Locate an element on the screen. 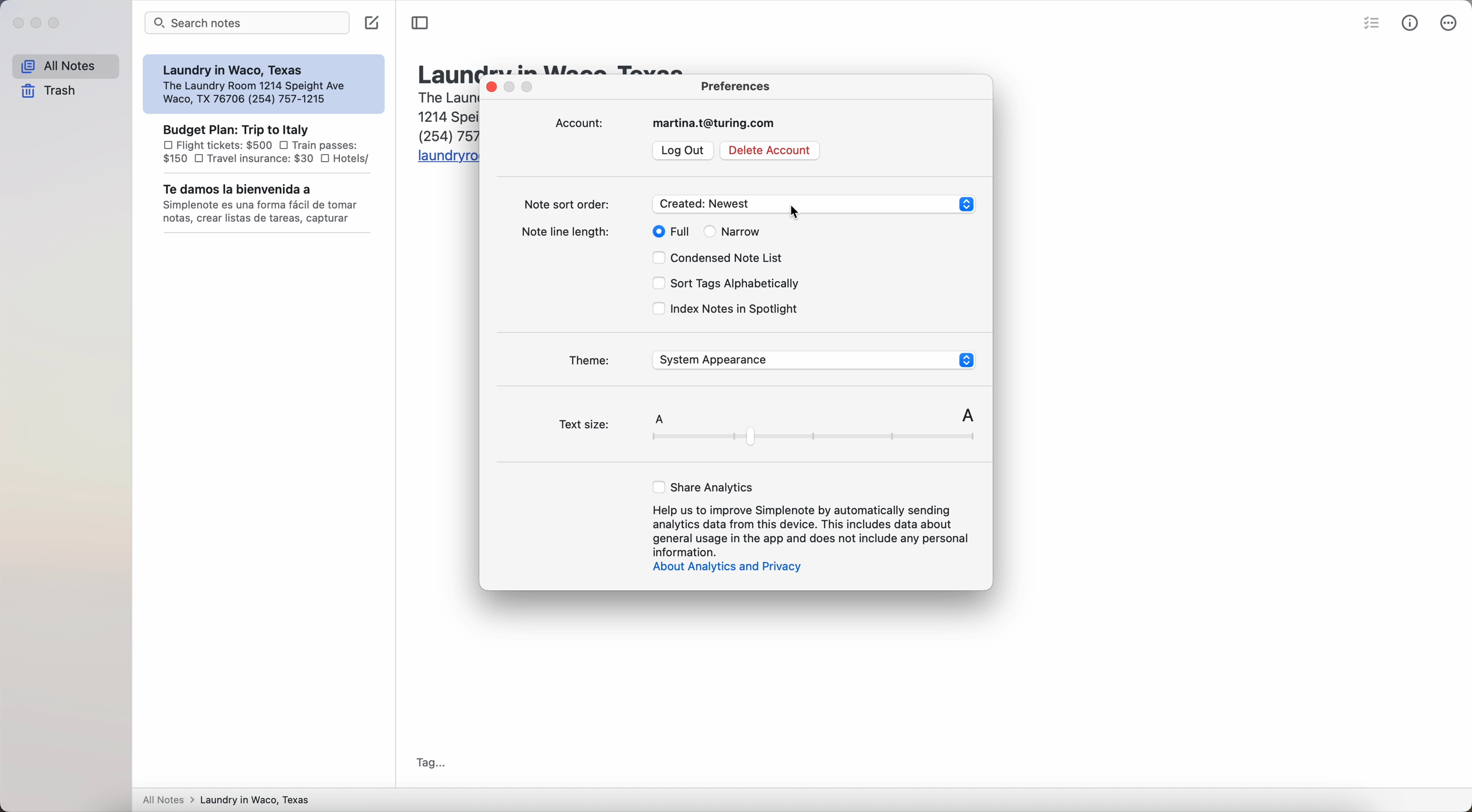  create note is located at coordinates (373, 22).